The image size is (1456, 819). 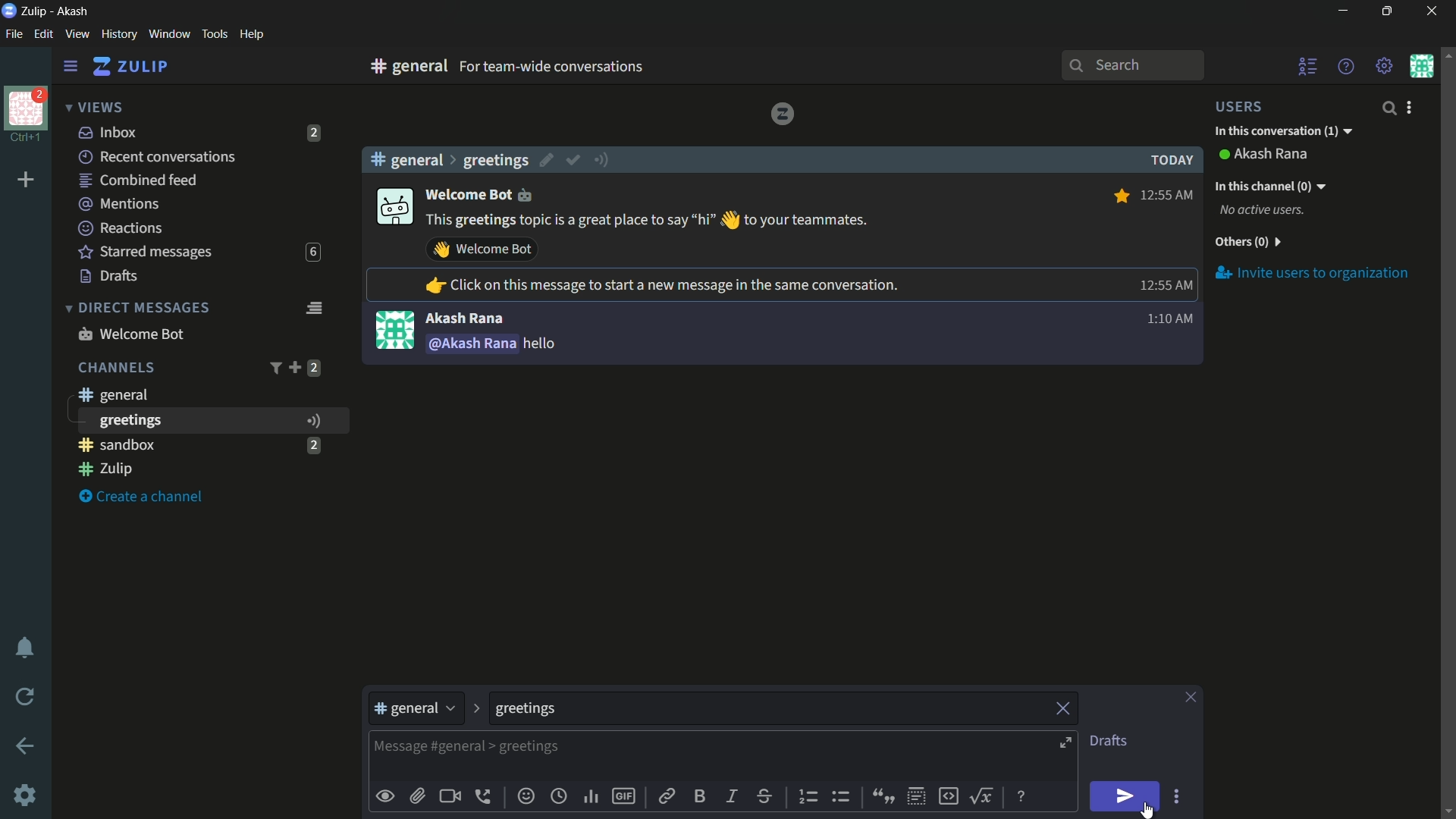 I want to click on sandbox, so click(x=185, y=444).